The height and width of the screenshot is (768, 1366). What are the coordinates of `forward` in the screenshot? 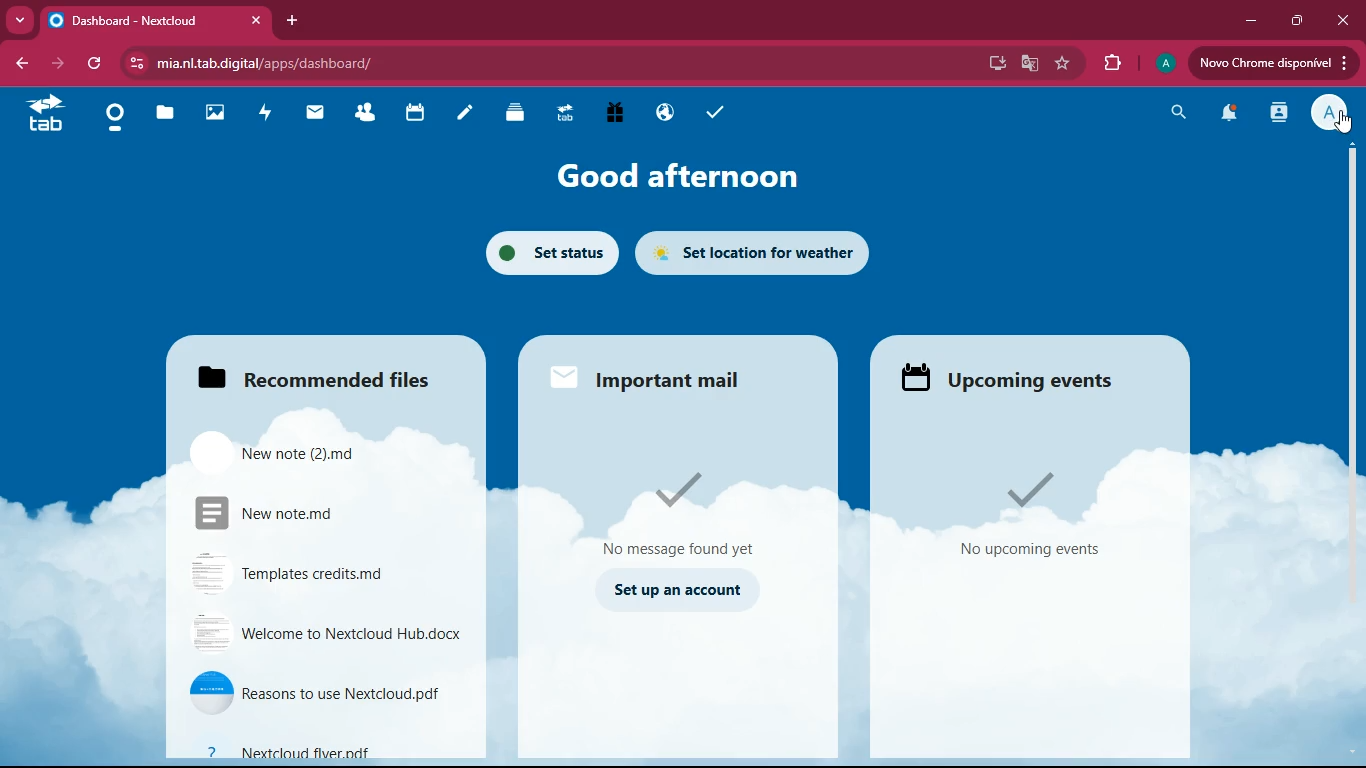 It's located at (55, 65).